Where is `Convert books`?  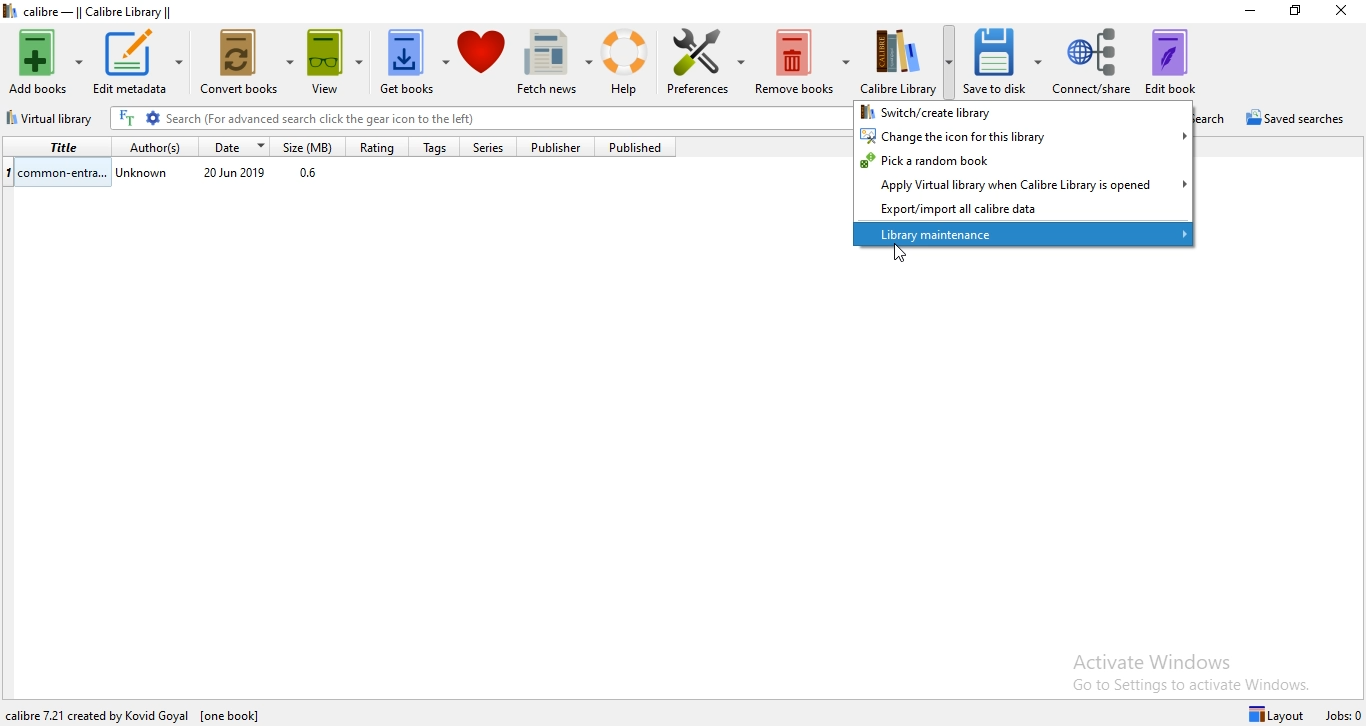 Convert books is located at coordinates (248, 66).